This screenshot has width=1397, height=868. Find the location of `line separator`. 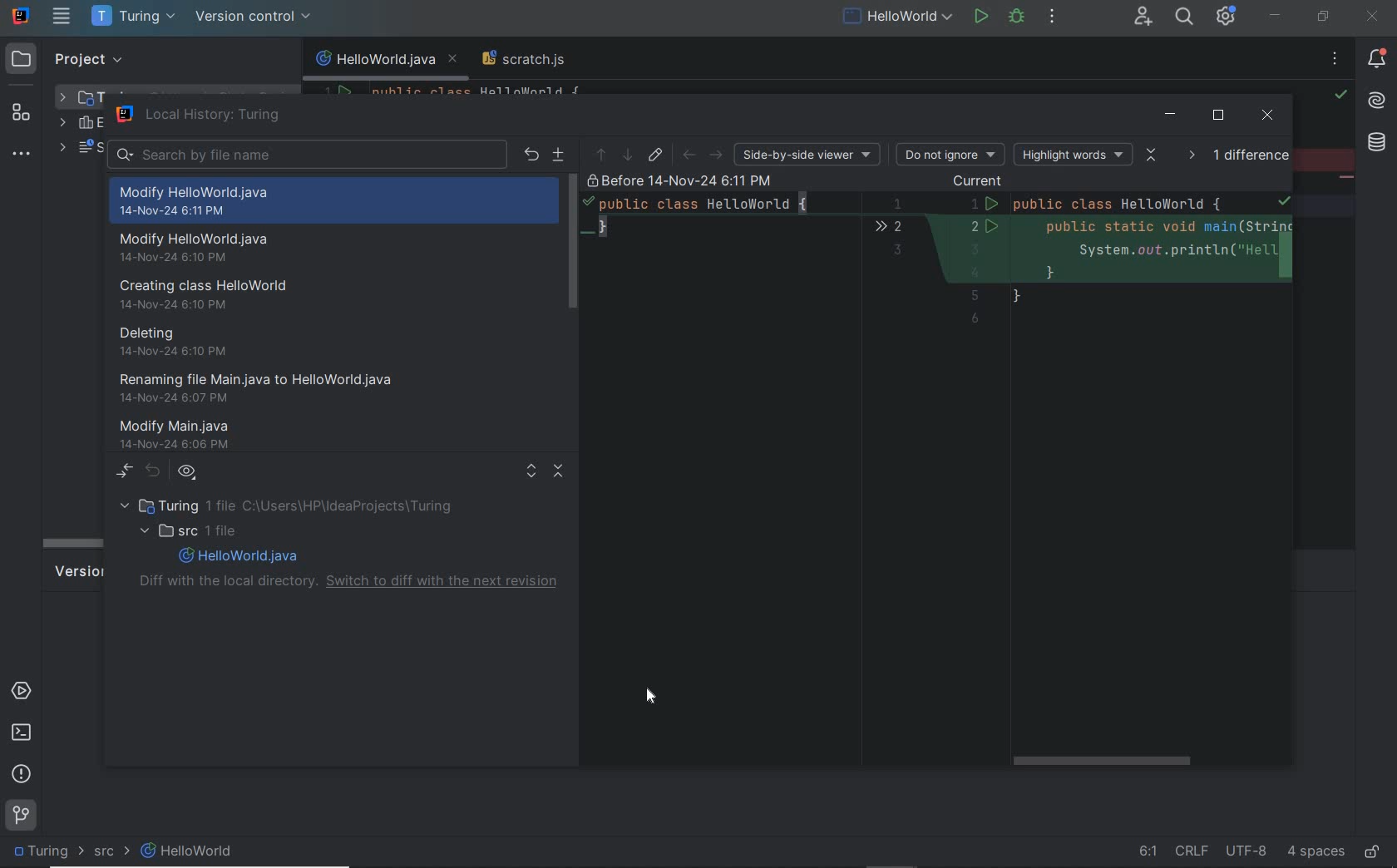

line separator is located at coordinates (1195, 850).